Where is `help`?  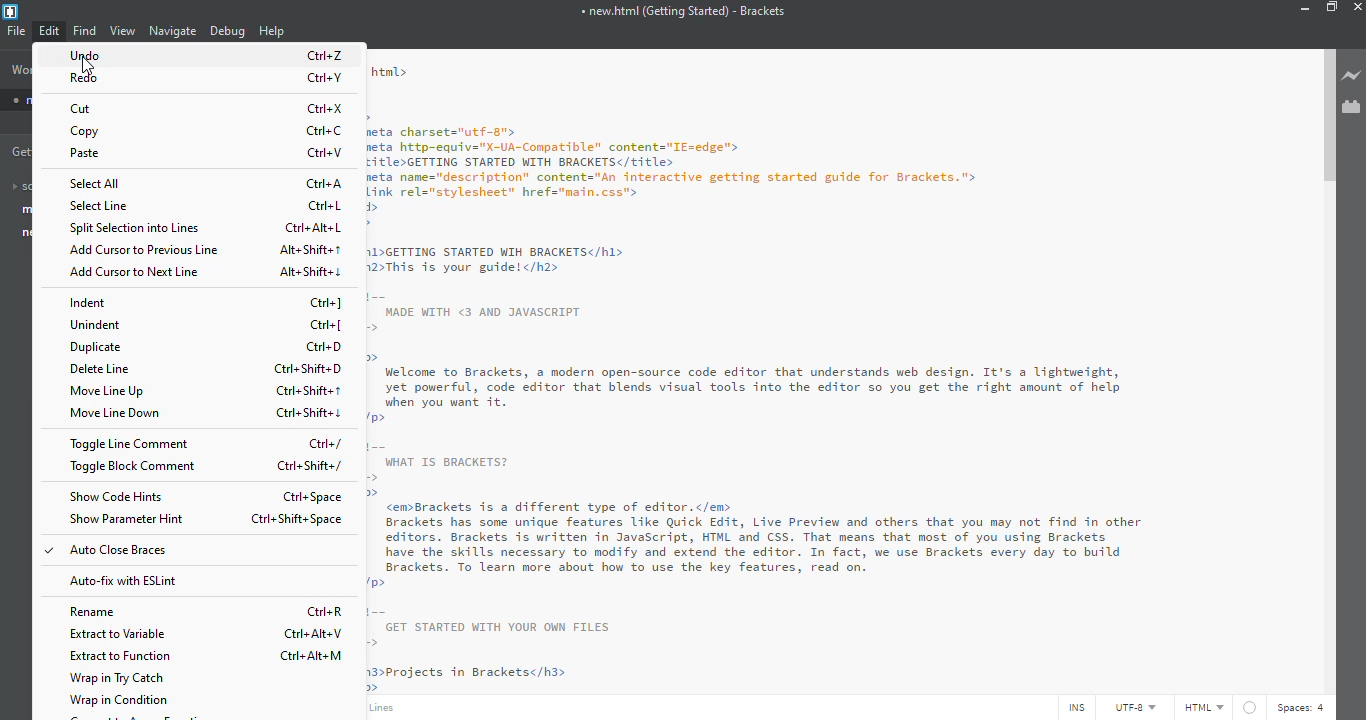 help is located at coordinates (271, 31).